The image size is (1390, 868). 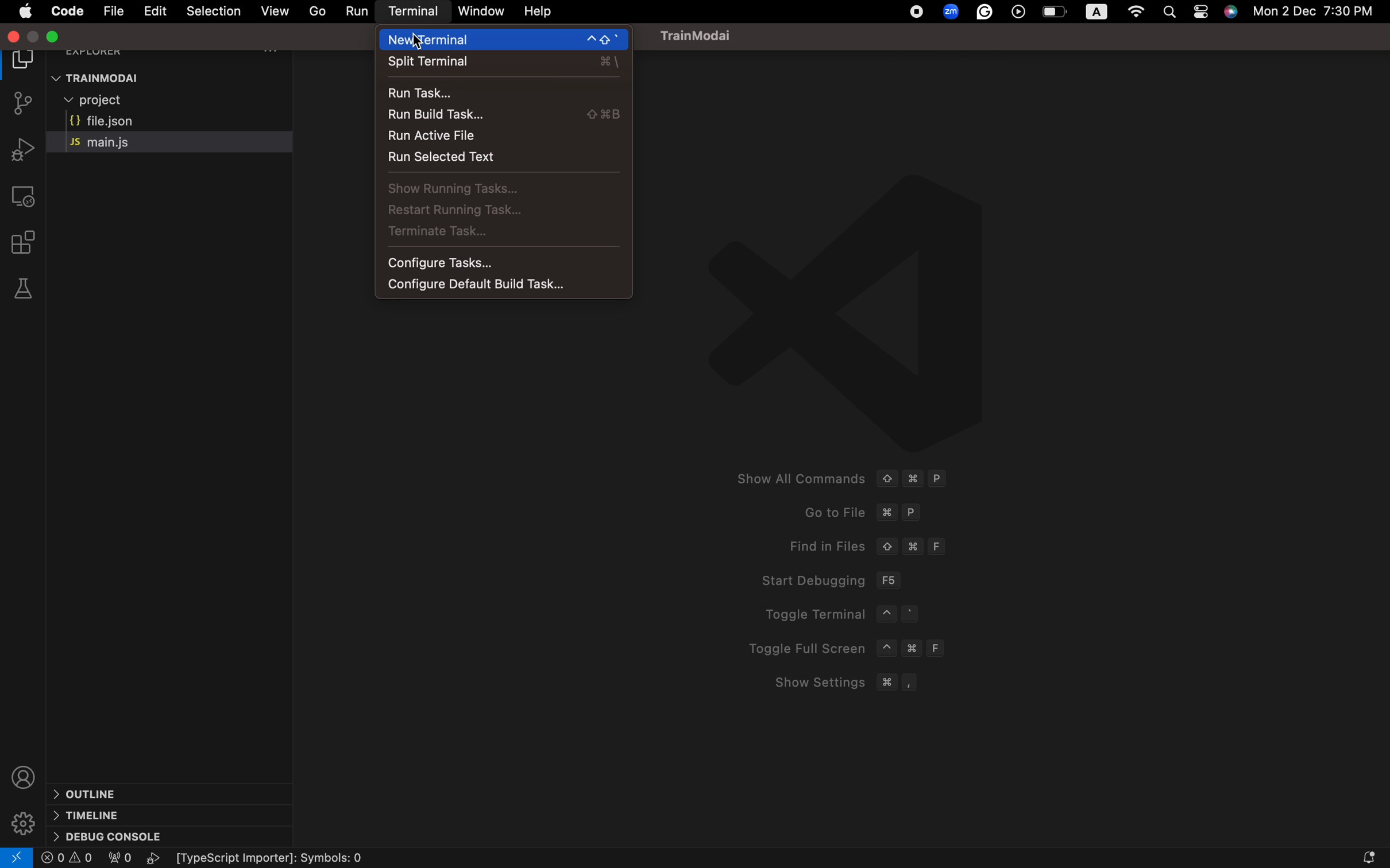 What do you see at coordinates (1202, 14) in the screenshot?
I see `Toggle` at bounding box center [1202, 14].